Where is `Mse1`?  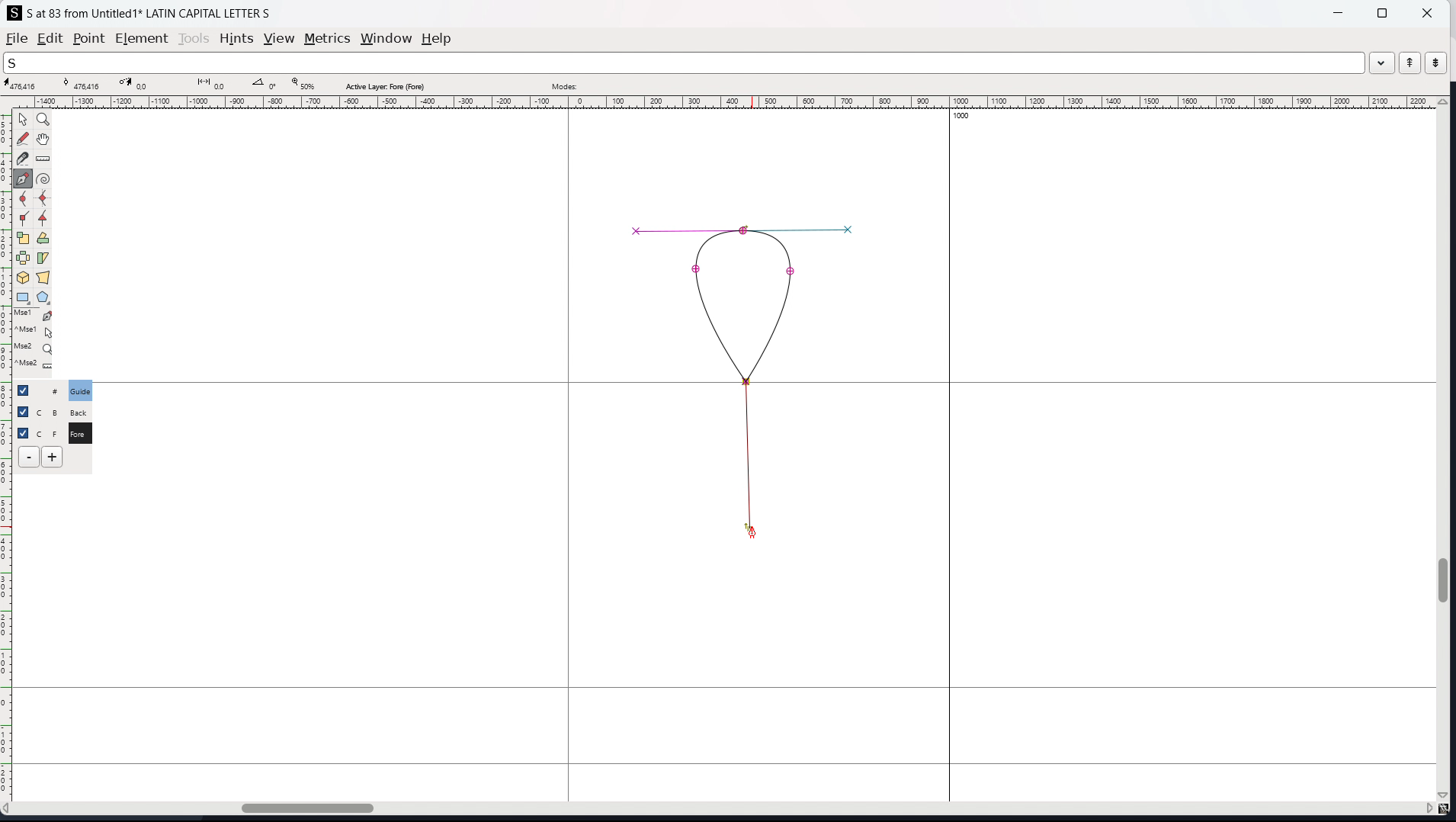 Mse1 is located at coordinates (34, 316).